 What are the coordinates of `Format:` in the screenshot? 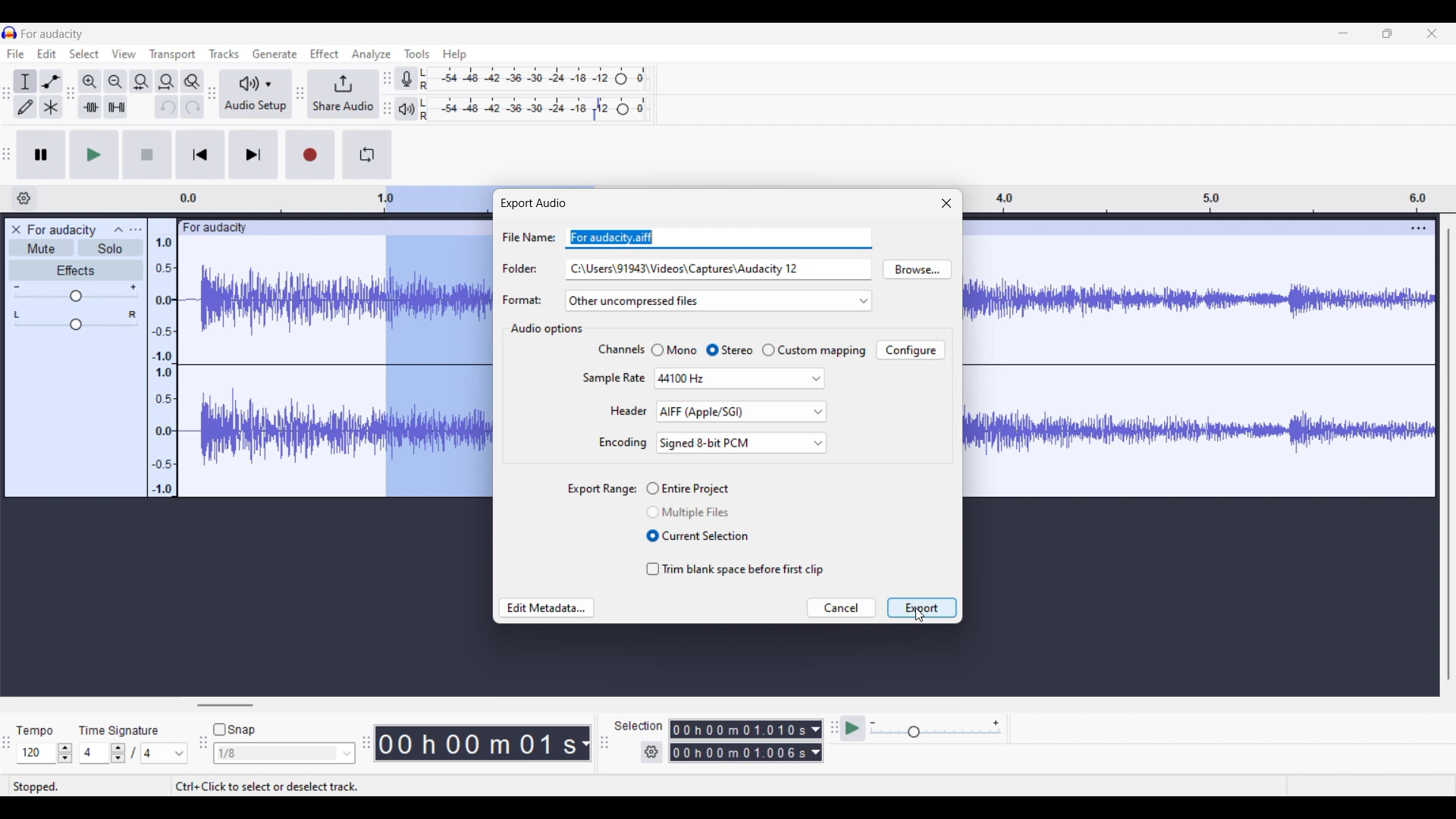 It's located at (523, 297).